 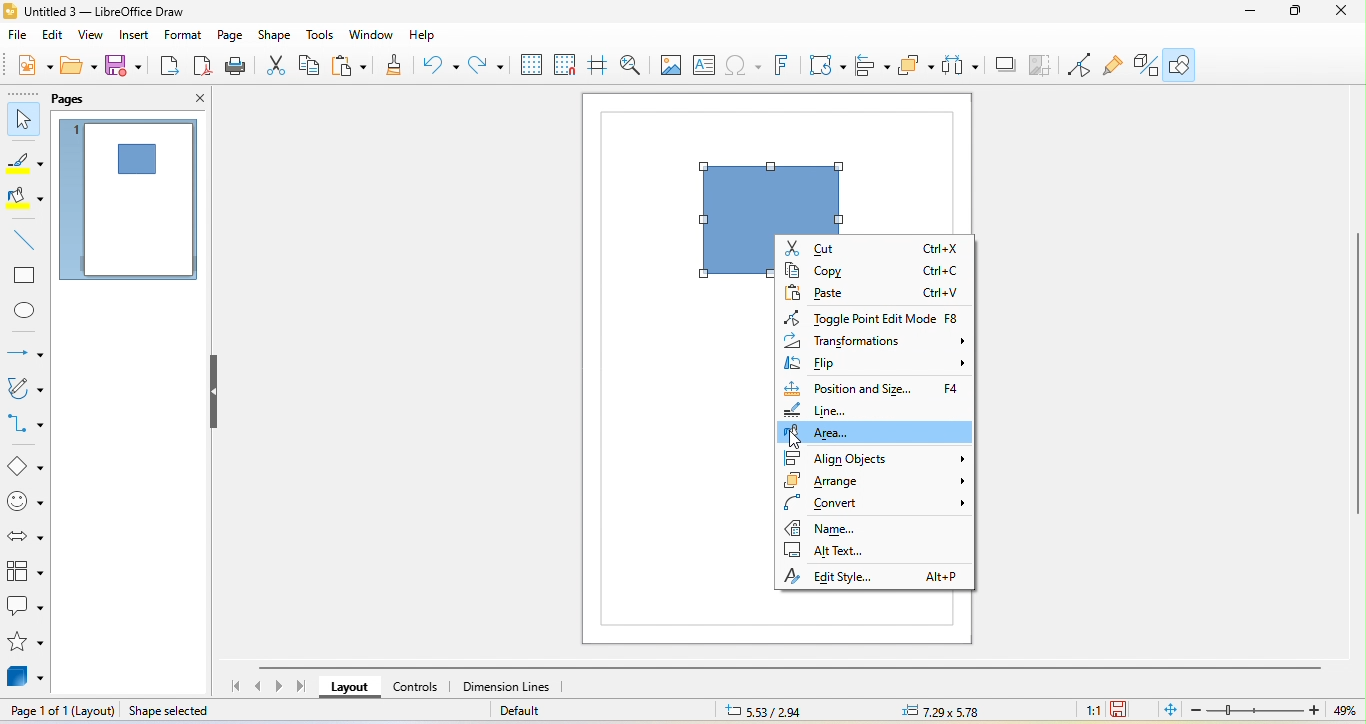 What do you see at coordinates (21, 241) in the screenshot?
I see `line` at bounding box center [21, 241].